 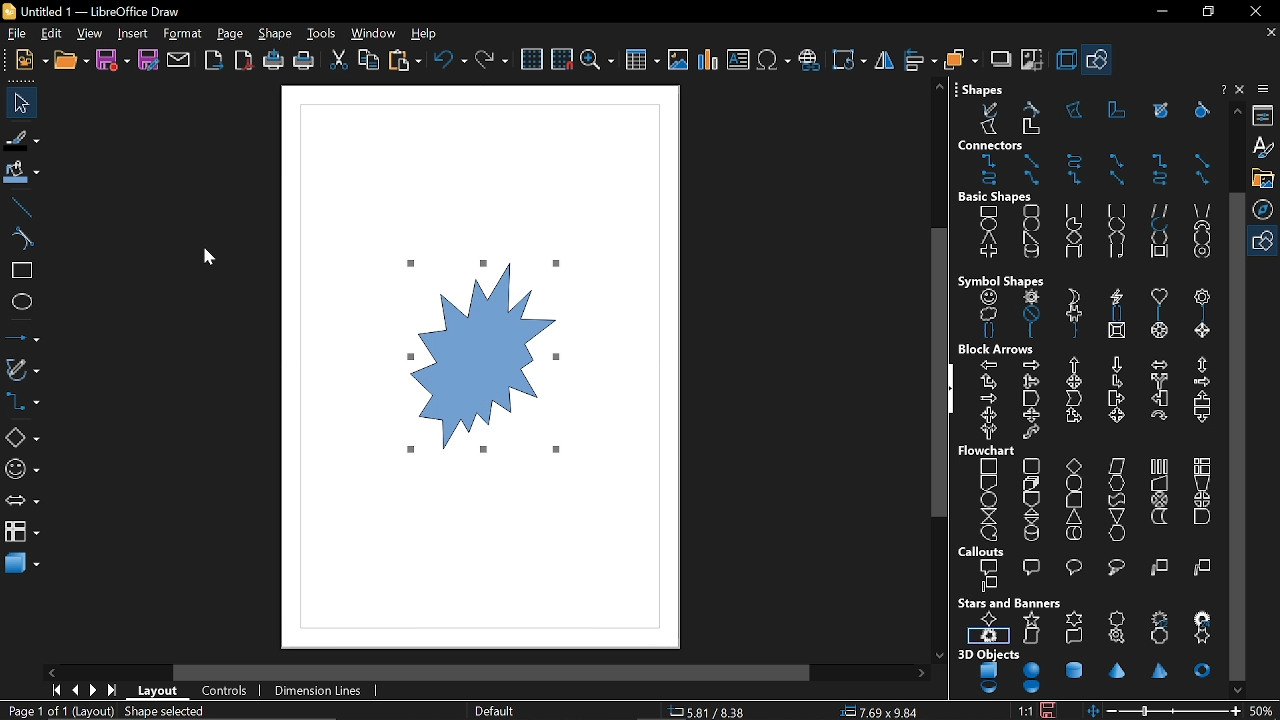 I want to click on 3d objects, so click(x=1086, y=673).